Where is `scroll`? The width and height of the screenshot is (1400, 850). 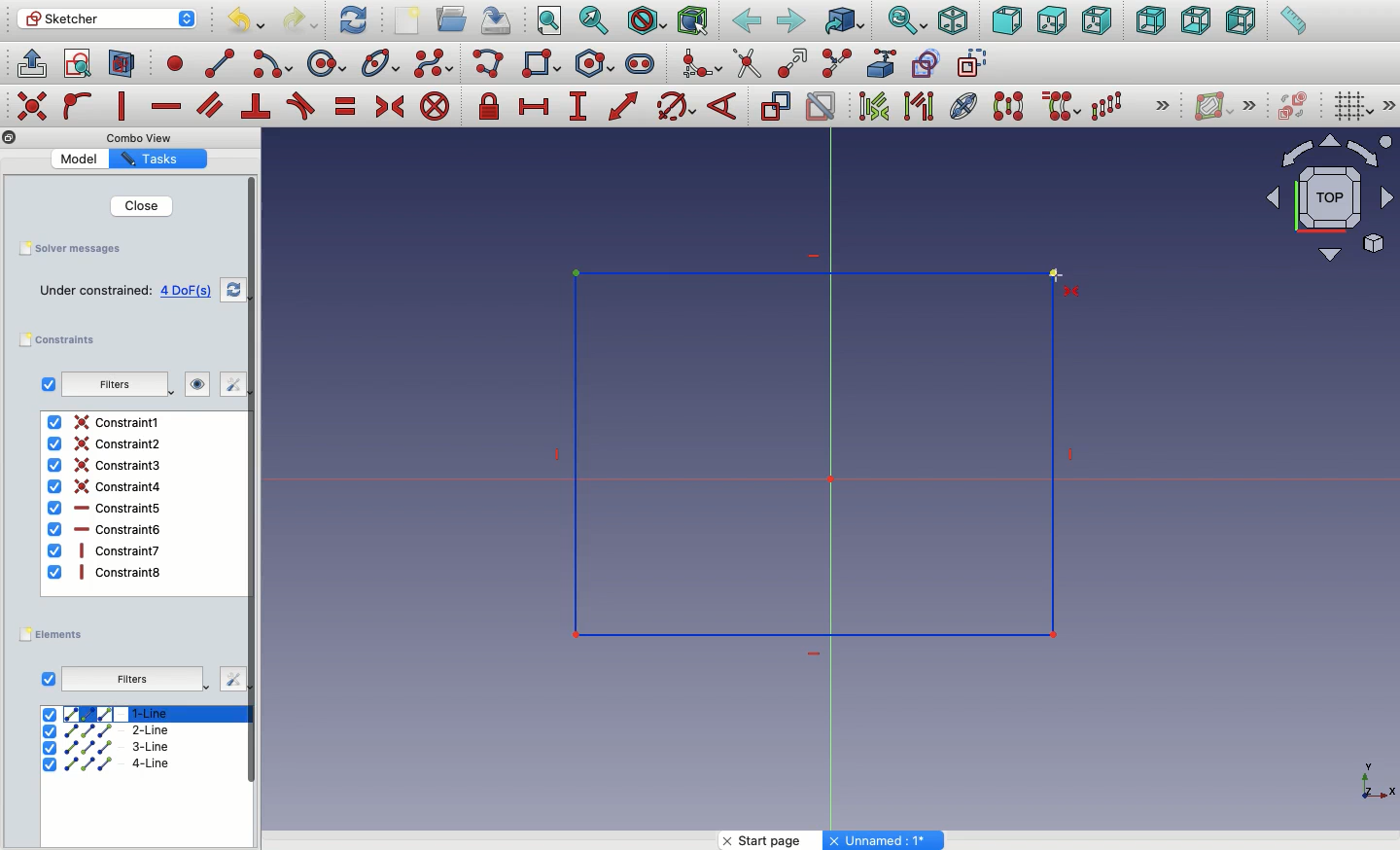 scroll is located at coordinates (254, 511).